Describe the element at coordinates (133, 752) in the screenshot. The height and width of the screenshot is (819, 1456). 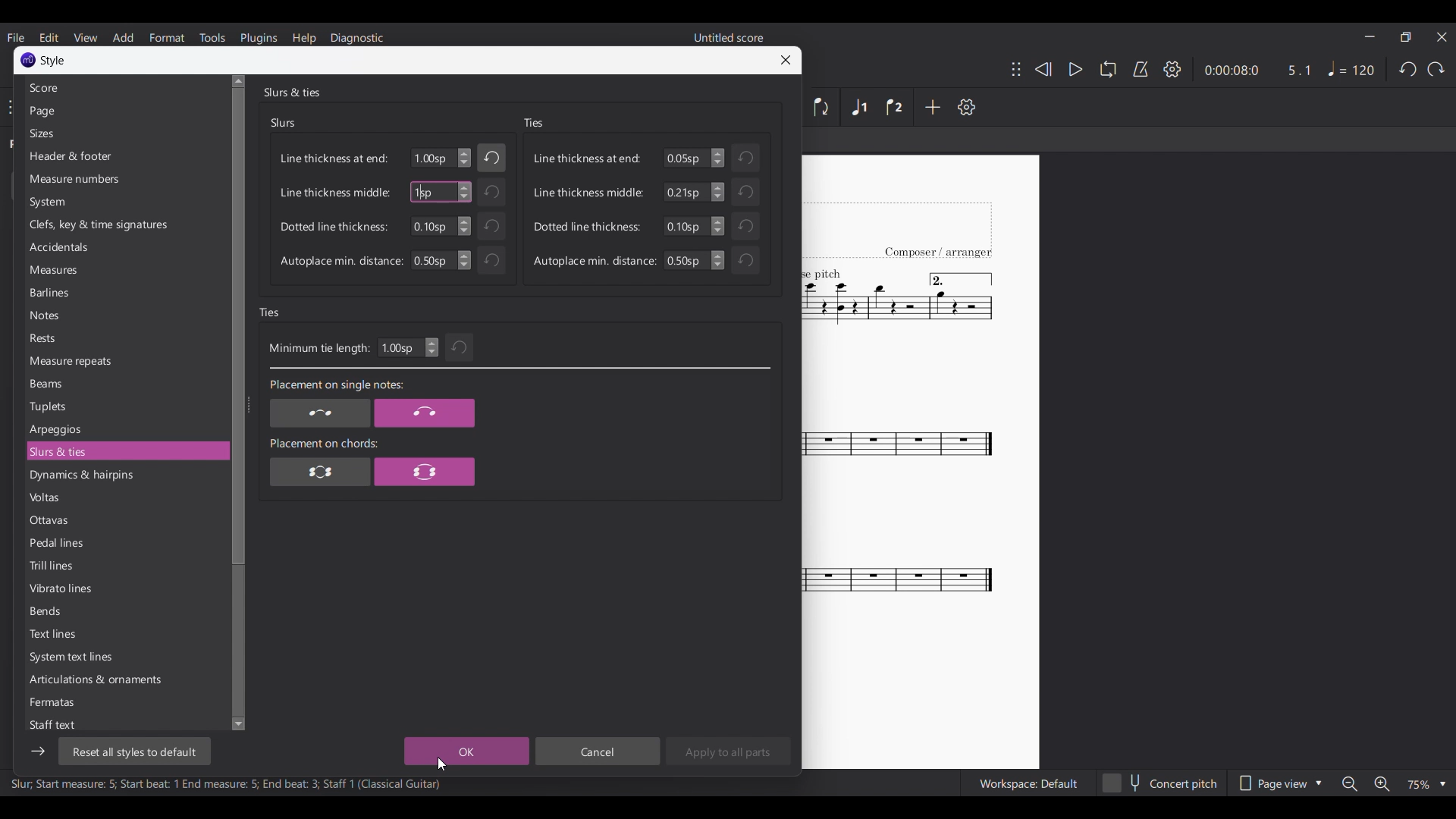
I see `Reset all styles to default` at that location.